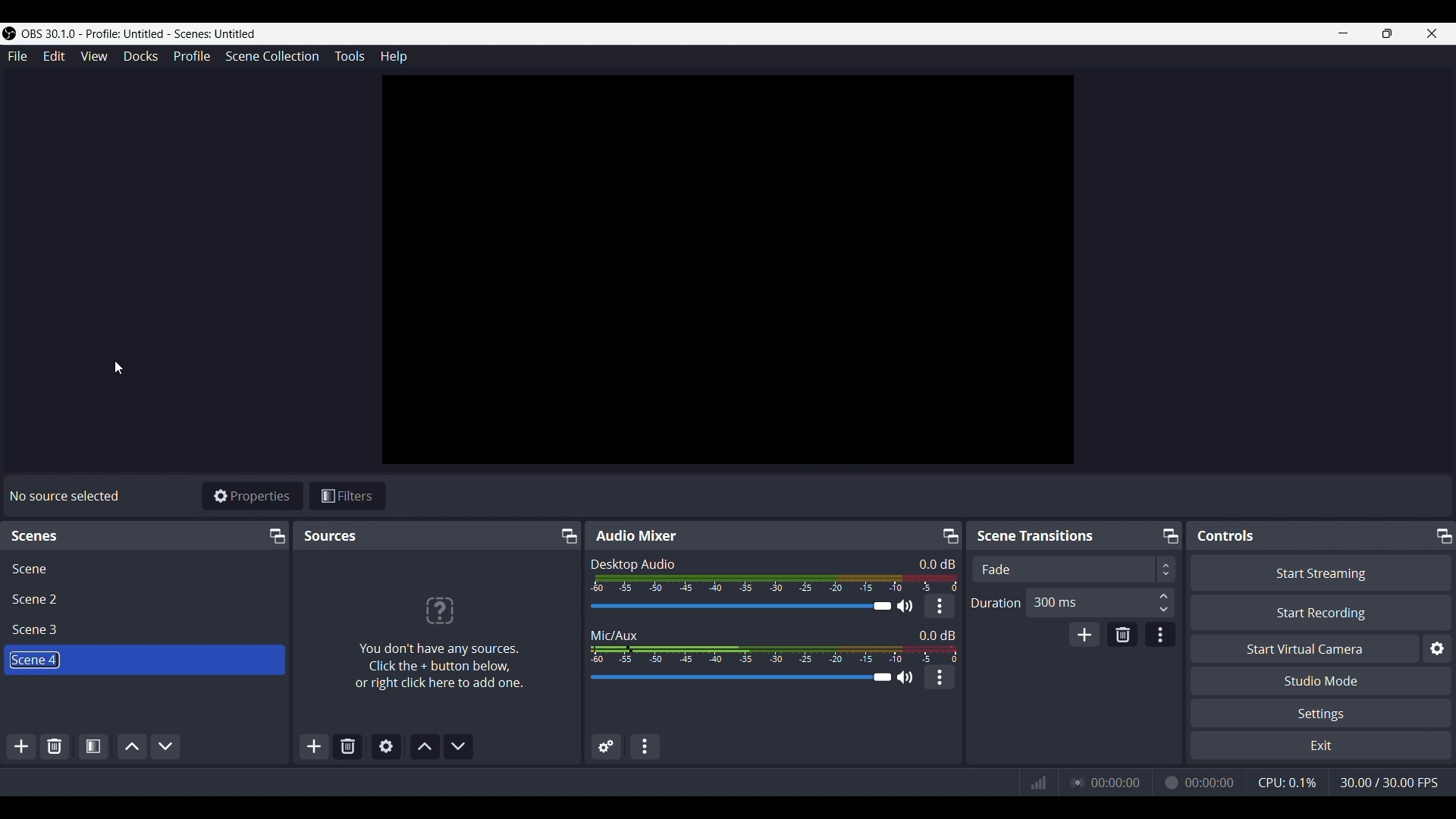 The image size is (1456, 819). What do you see at coordinates (606, 748) in the screenshot?
I see `Advanced Audio Properties` at bounding box center [606, 748].